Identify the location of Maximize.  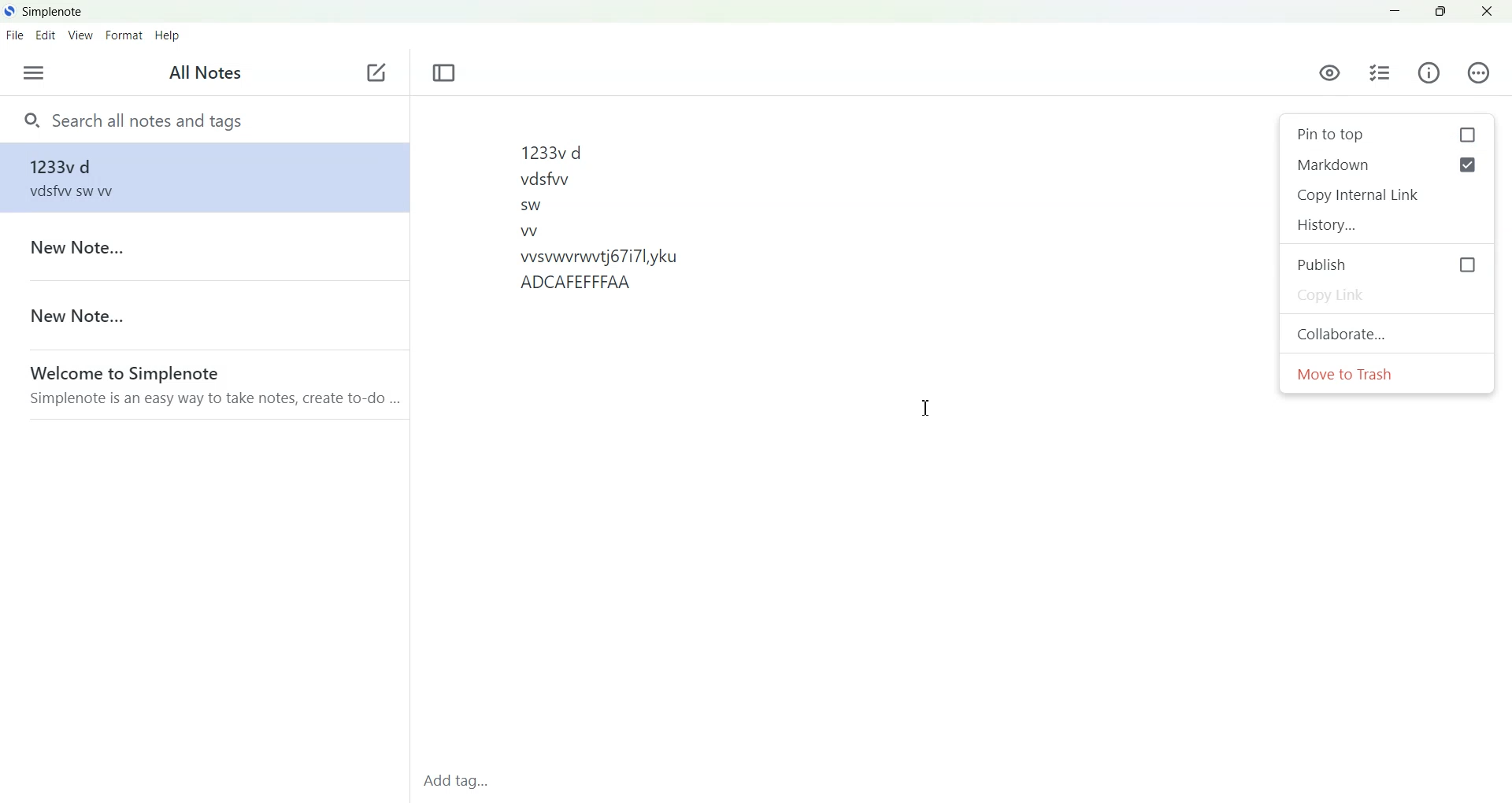
(1440, 12).